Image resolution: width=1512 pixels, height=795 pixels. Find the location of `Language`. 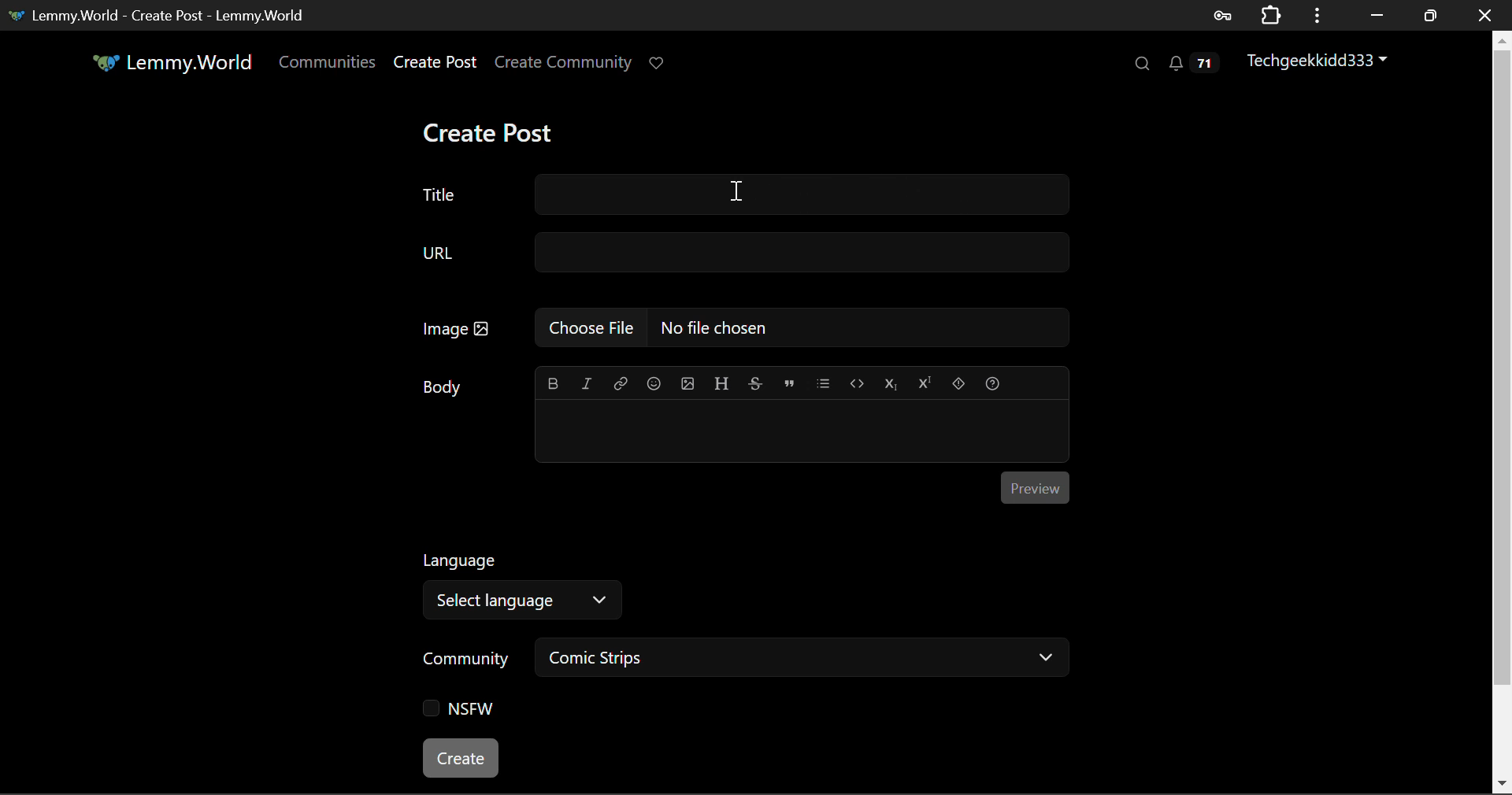

Language is located at coordinates (462, 558).